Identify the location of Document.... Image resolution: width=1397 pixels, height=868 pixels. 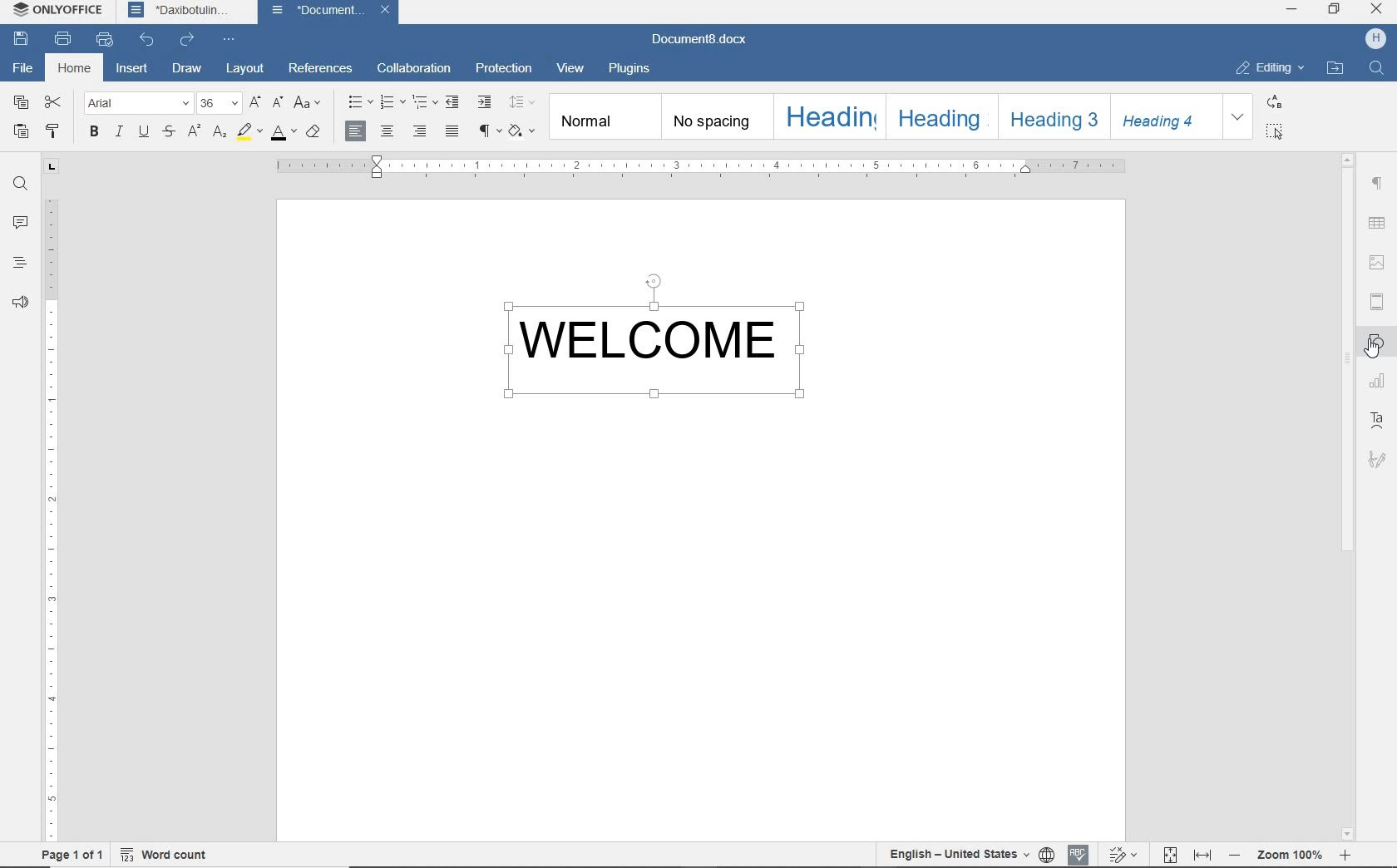
(318, 11).